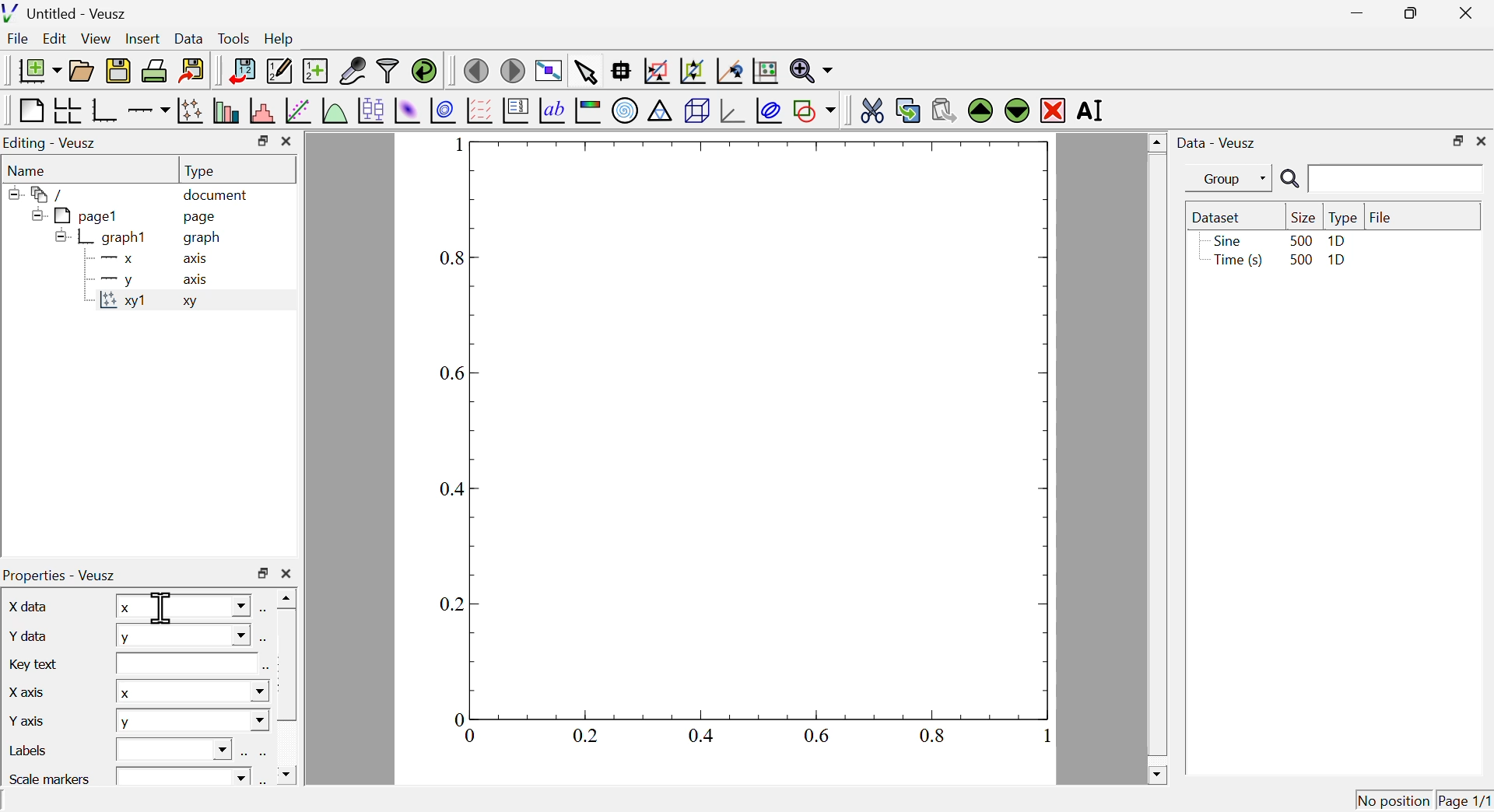 The image size is (1494, 812). What do you see at coordinates (1378, 180) in the screenshot?
I see `search` at bounding box center [1378, 180].